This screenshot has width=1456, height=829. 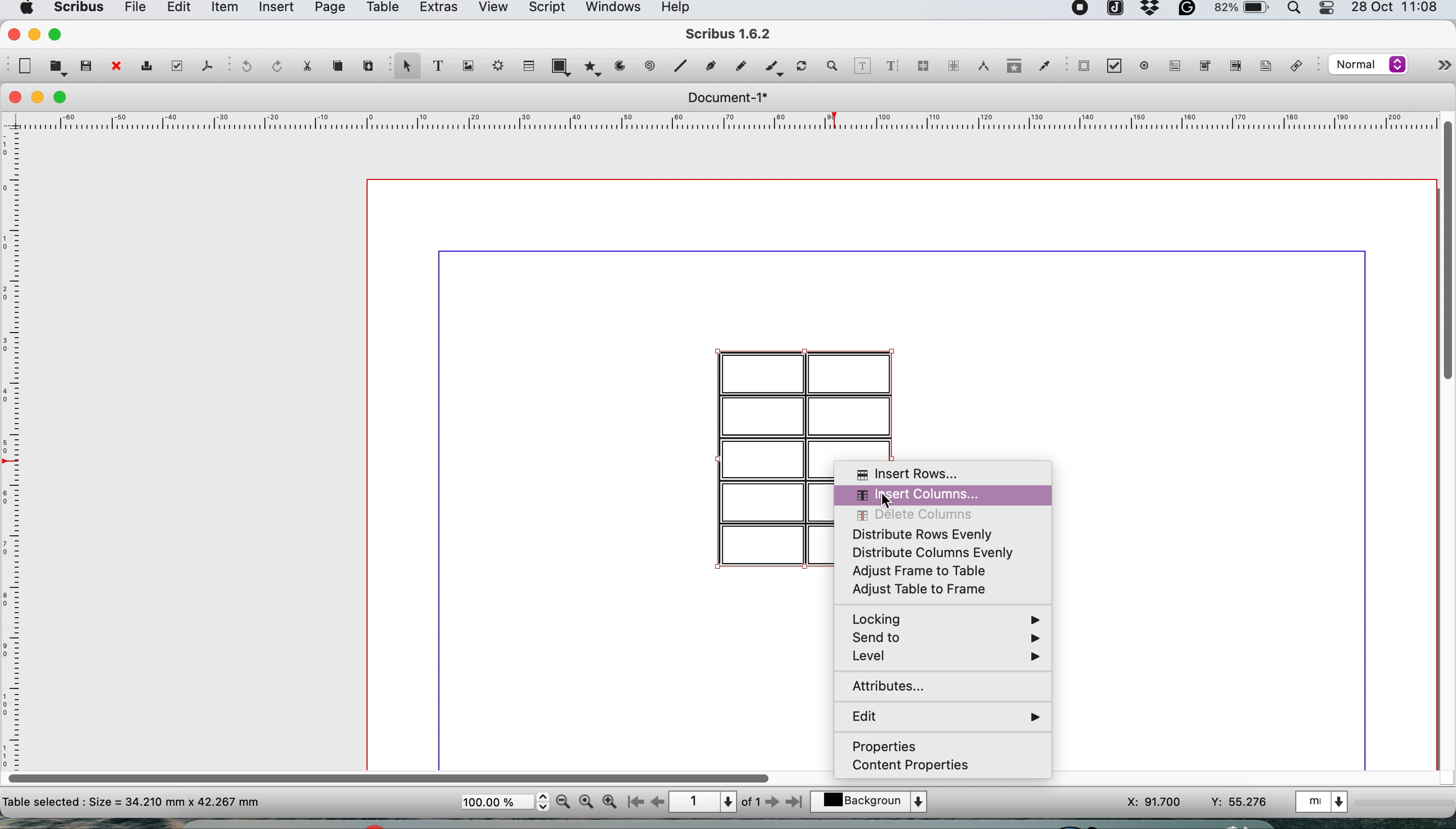 What do you see at coordinates (709, 68) in the screenshot?
I see `bezier curve` at bounding box center [709, 68].